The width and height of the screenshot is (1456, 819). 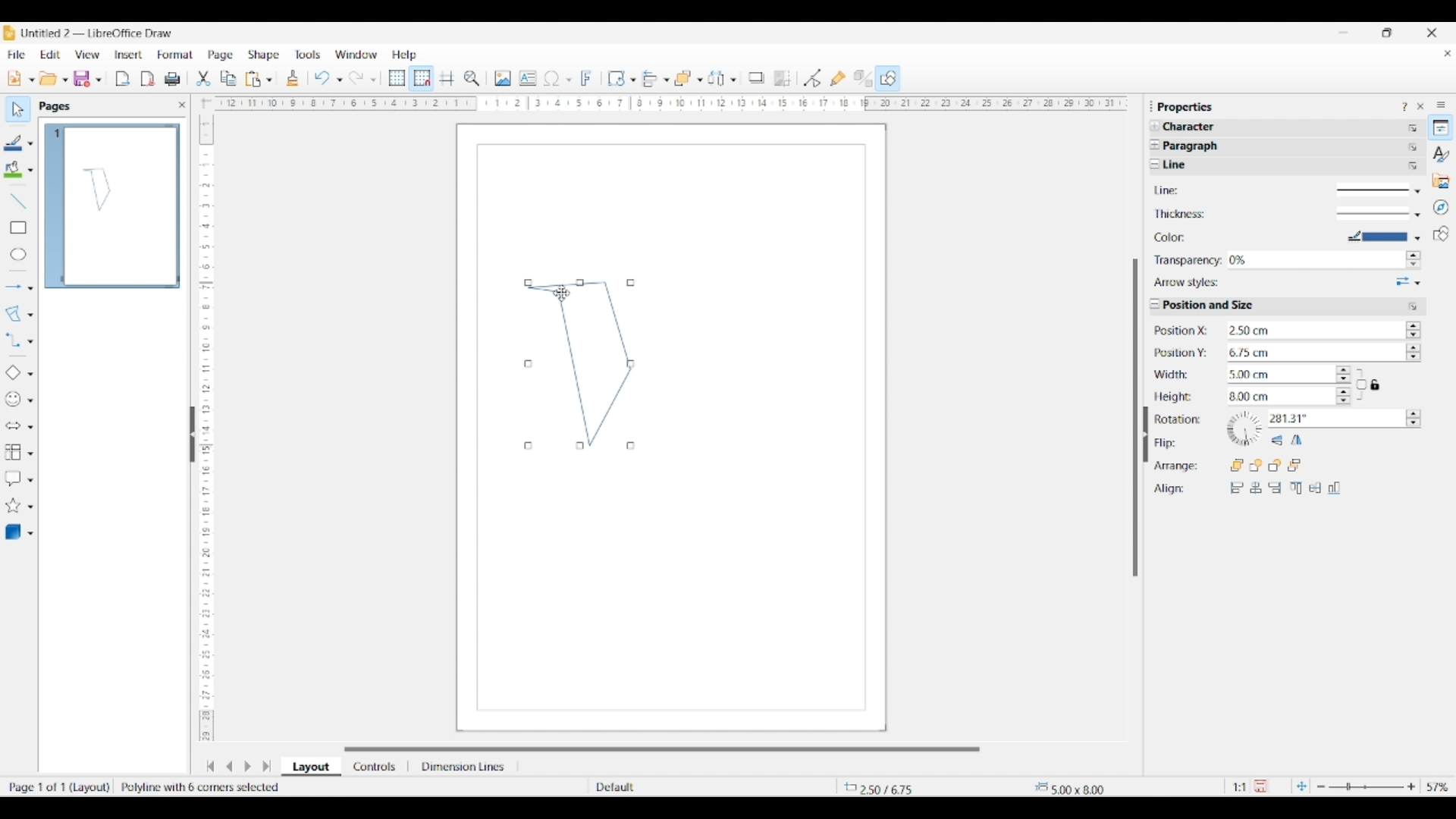 What do you see at coordinates (888, 77) in the screenshot?
I see `Show draw functions` at bounding box center [888, 77].